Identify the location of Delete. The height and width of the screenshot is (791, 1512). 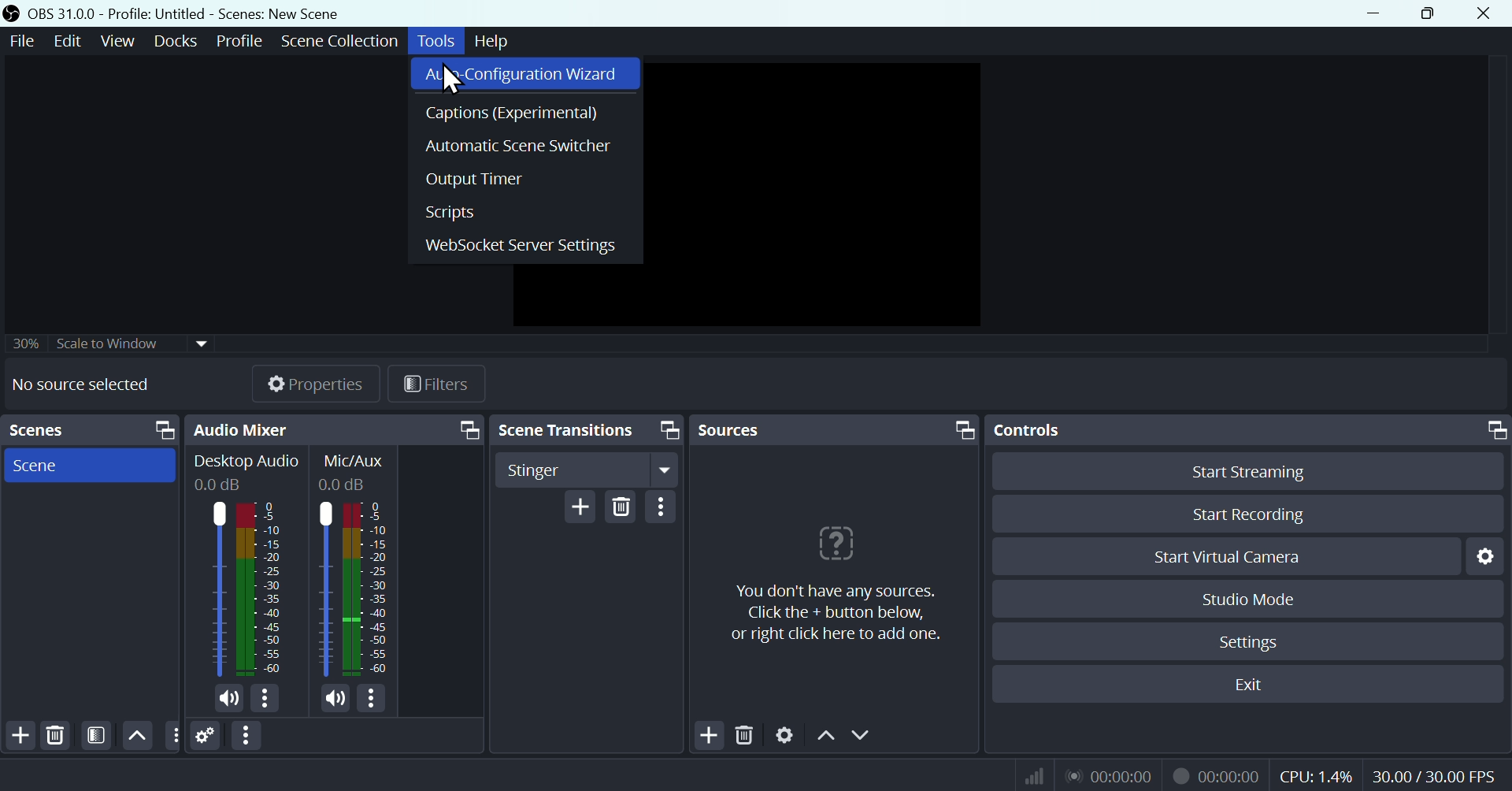
(745, 732).